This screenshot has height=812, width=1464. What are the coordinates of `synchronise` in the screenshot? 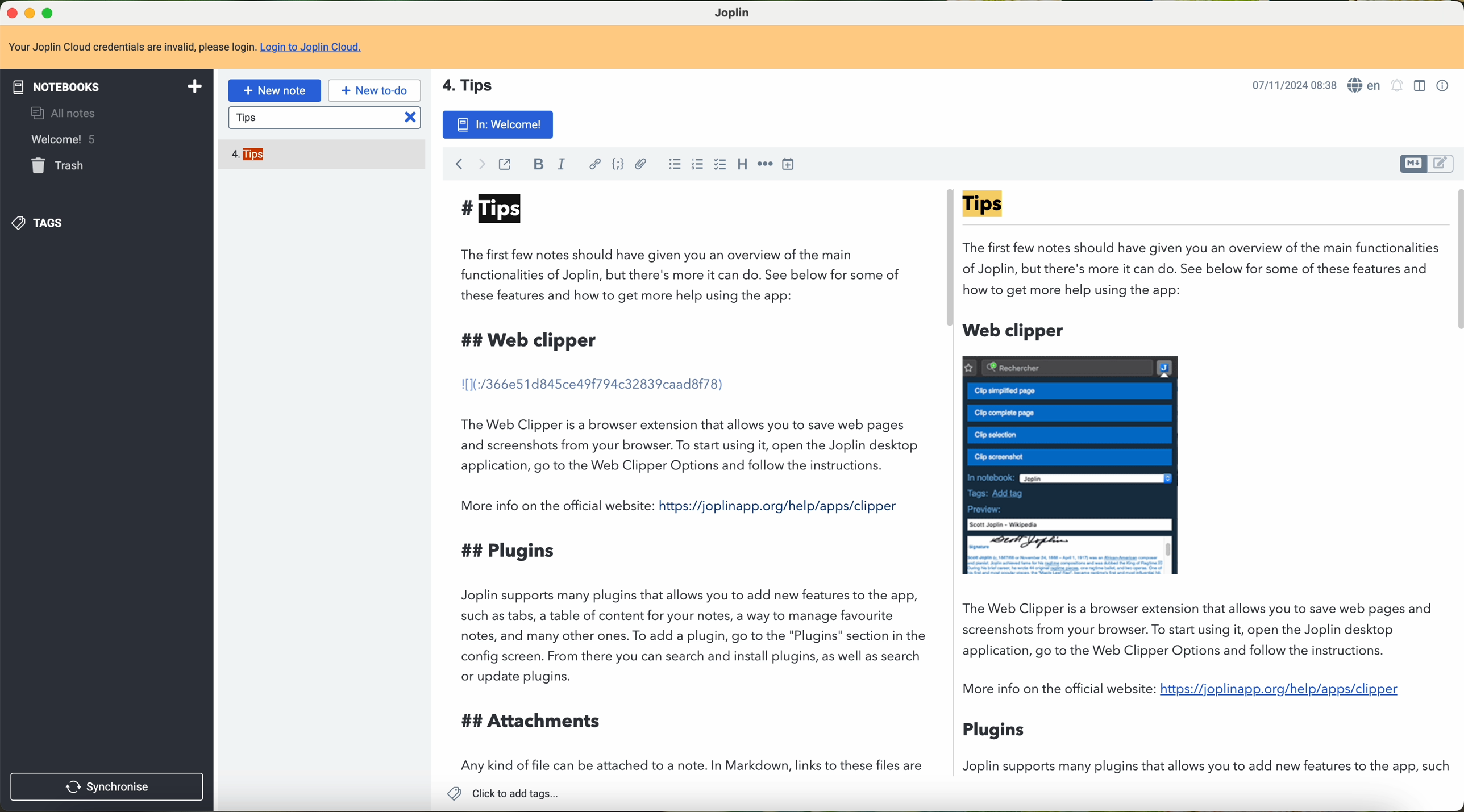 It's located at (108, 785).